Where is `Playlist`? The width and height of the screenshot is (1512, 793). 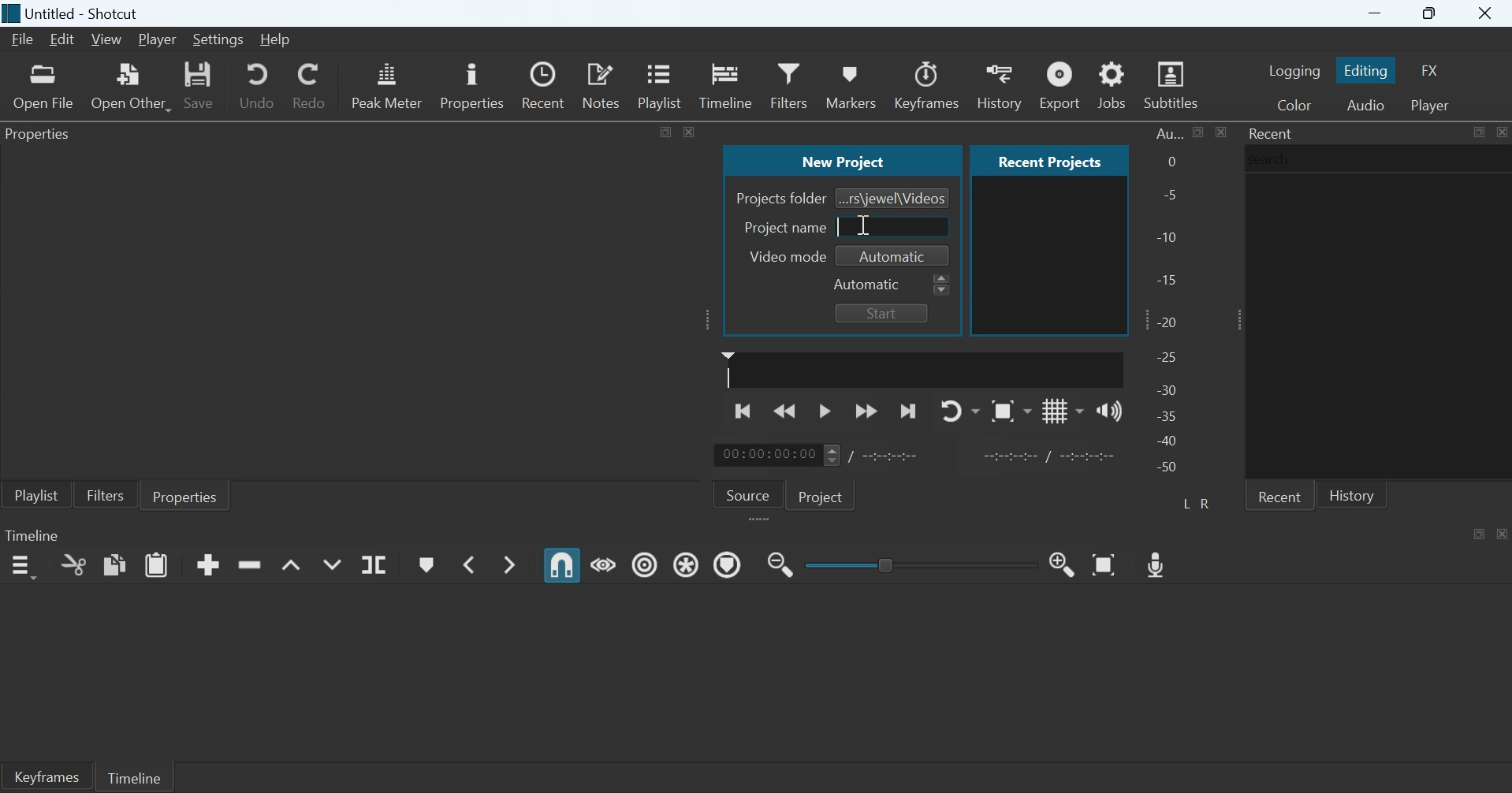
Playlist is located at coordinates (36, 494).